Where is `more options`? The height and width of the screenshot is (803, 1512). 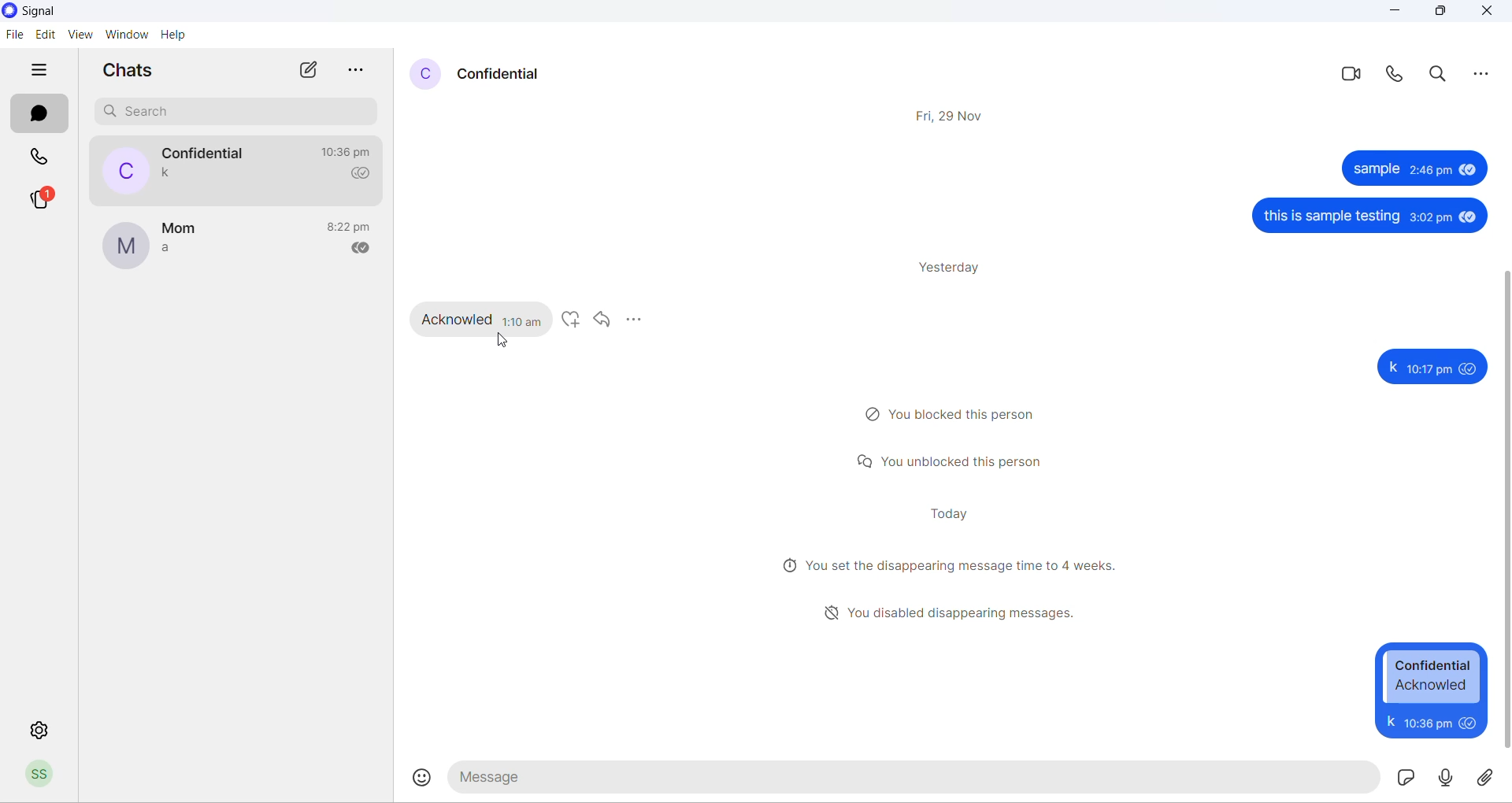 more options is located at coordinates (1486, 76).